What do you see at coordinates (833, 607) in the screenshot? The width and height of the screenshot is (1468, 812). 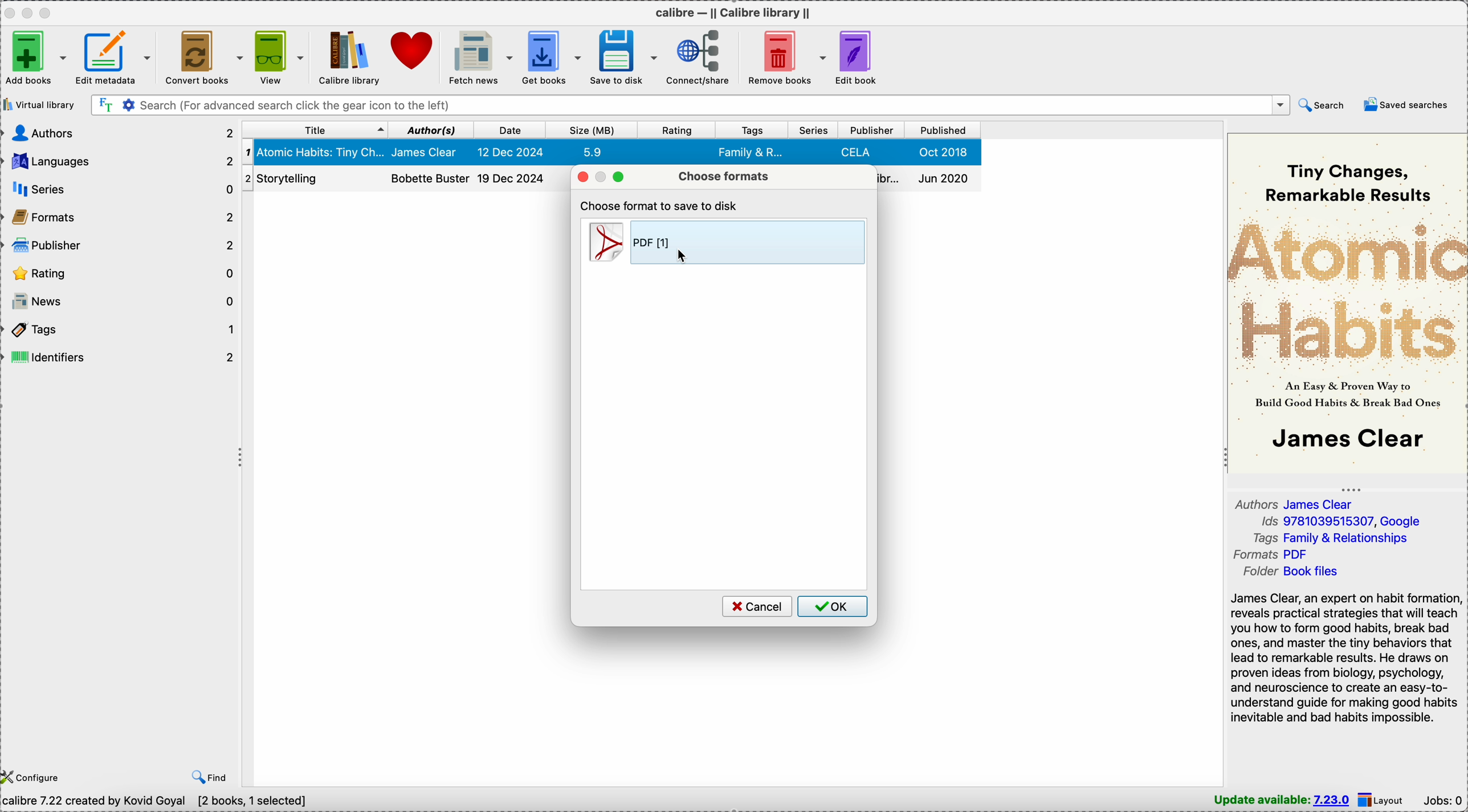 I see `OK` at bounding box center [833, 607].